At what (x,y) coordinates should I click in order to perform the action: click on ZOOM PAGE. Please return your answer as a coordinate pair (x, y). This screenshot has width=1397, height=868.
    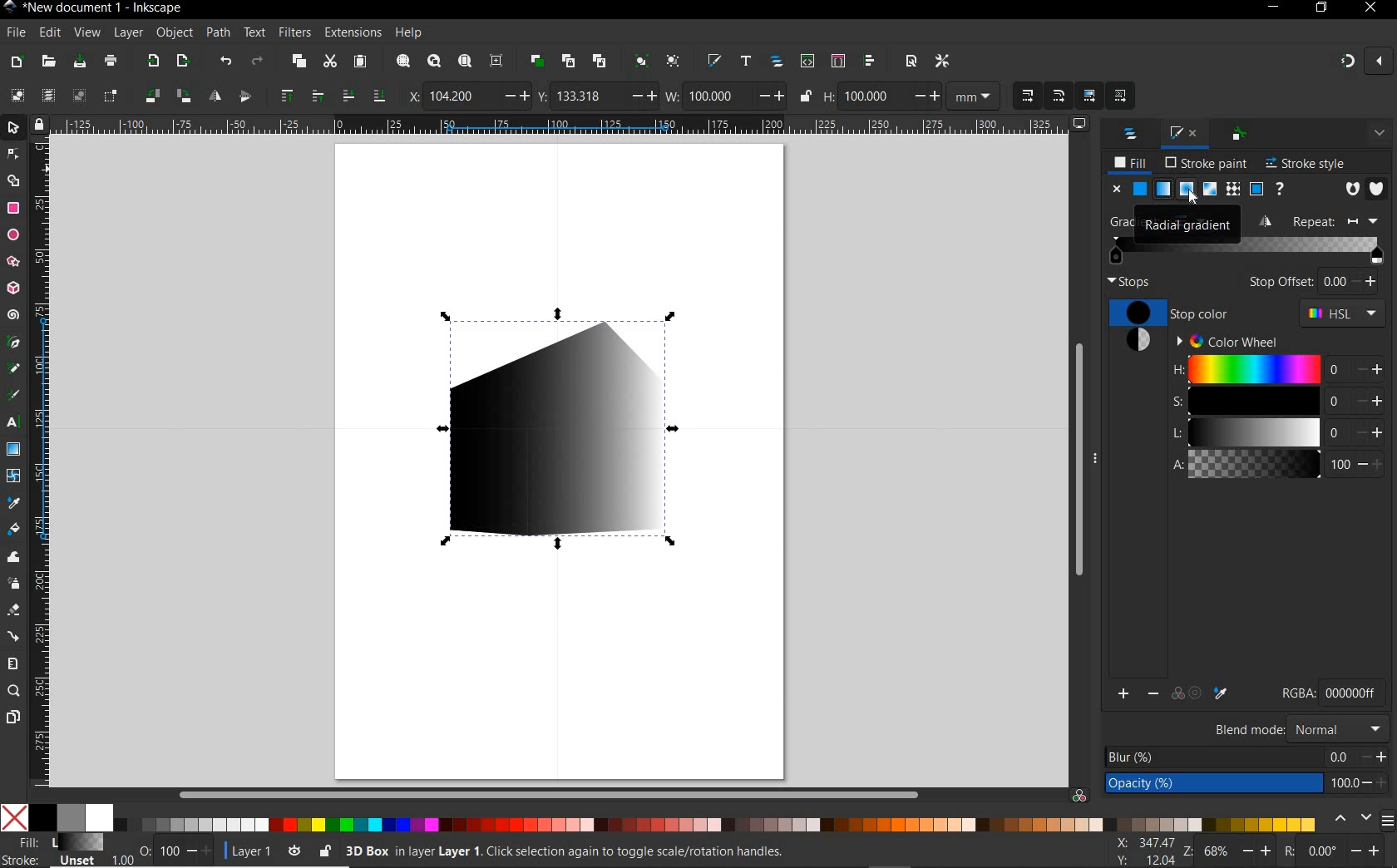
    Looking at the image, I should click on (464, 62).